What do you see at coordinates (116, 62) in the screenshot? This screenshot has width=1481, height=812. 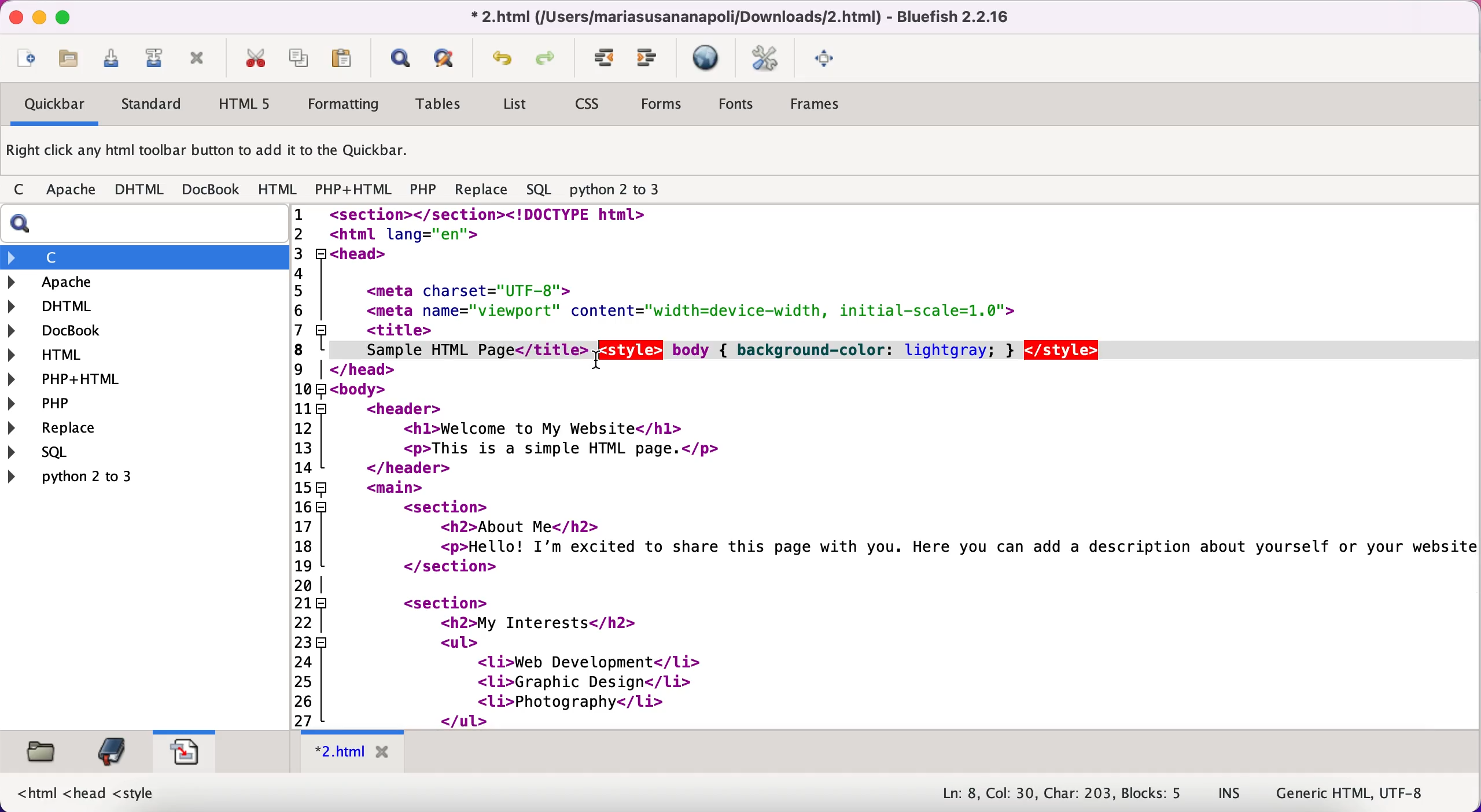 I see `save current file` at bounding box center [116, 62].